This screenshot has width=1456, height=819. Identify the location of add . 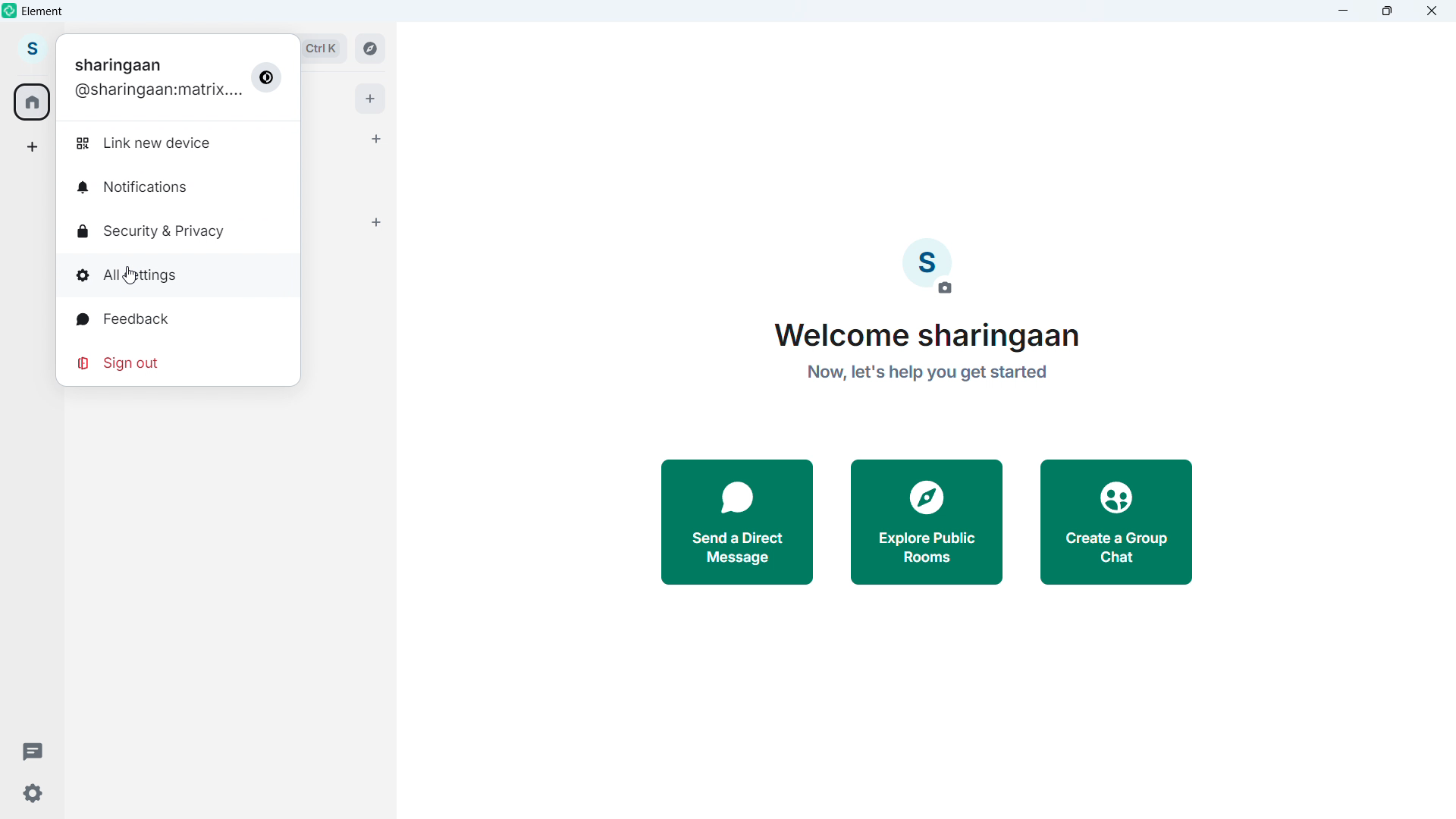
(371, 99).